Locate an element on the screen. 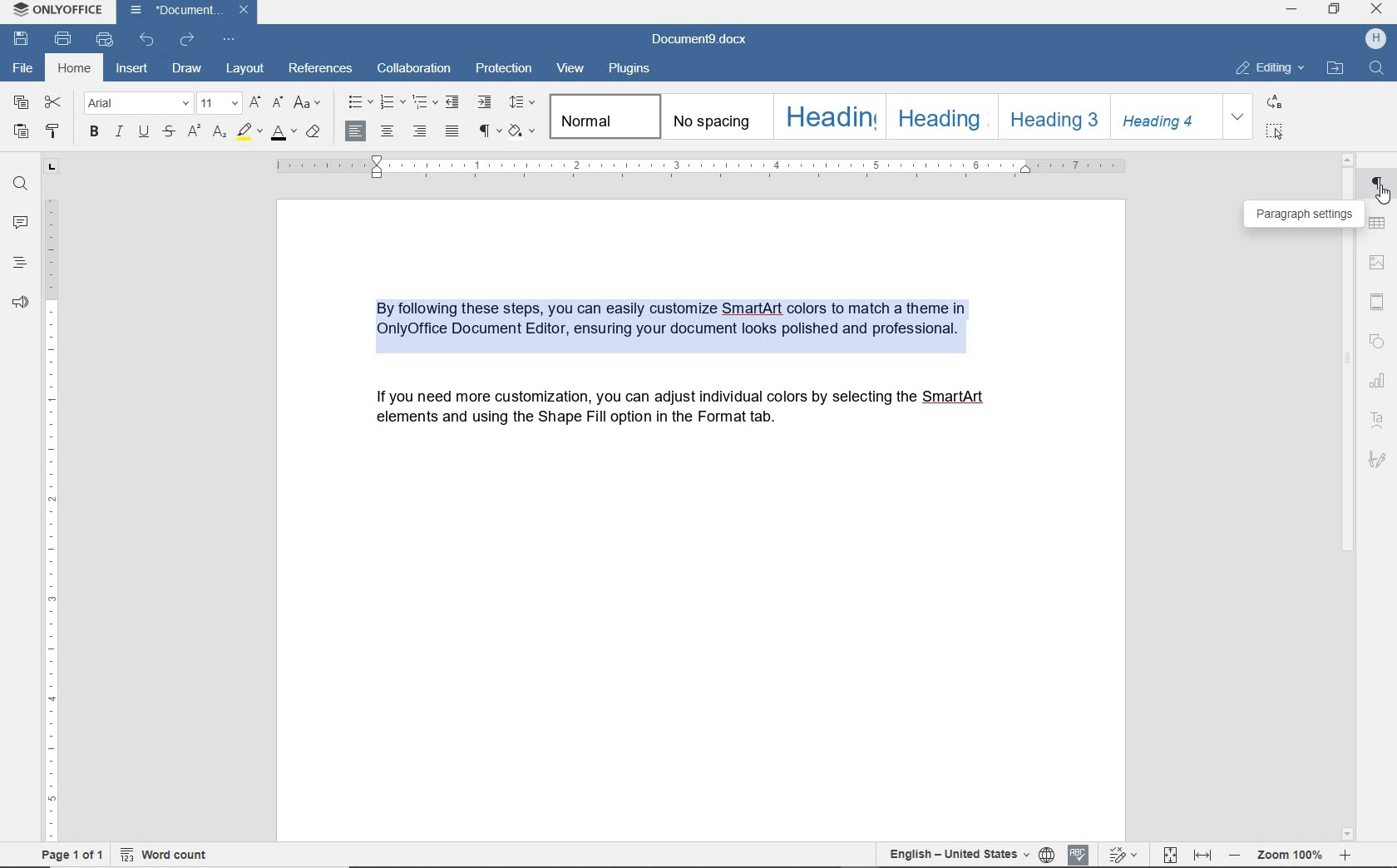  print is located at coordinates (63, 37).